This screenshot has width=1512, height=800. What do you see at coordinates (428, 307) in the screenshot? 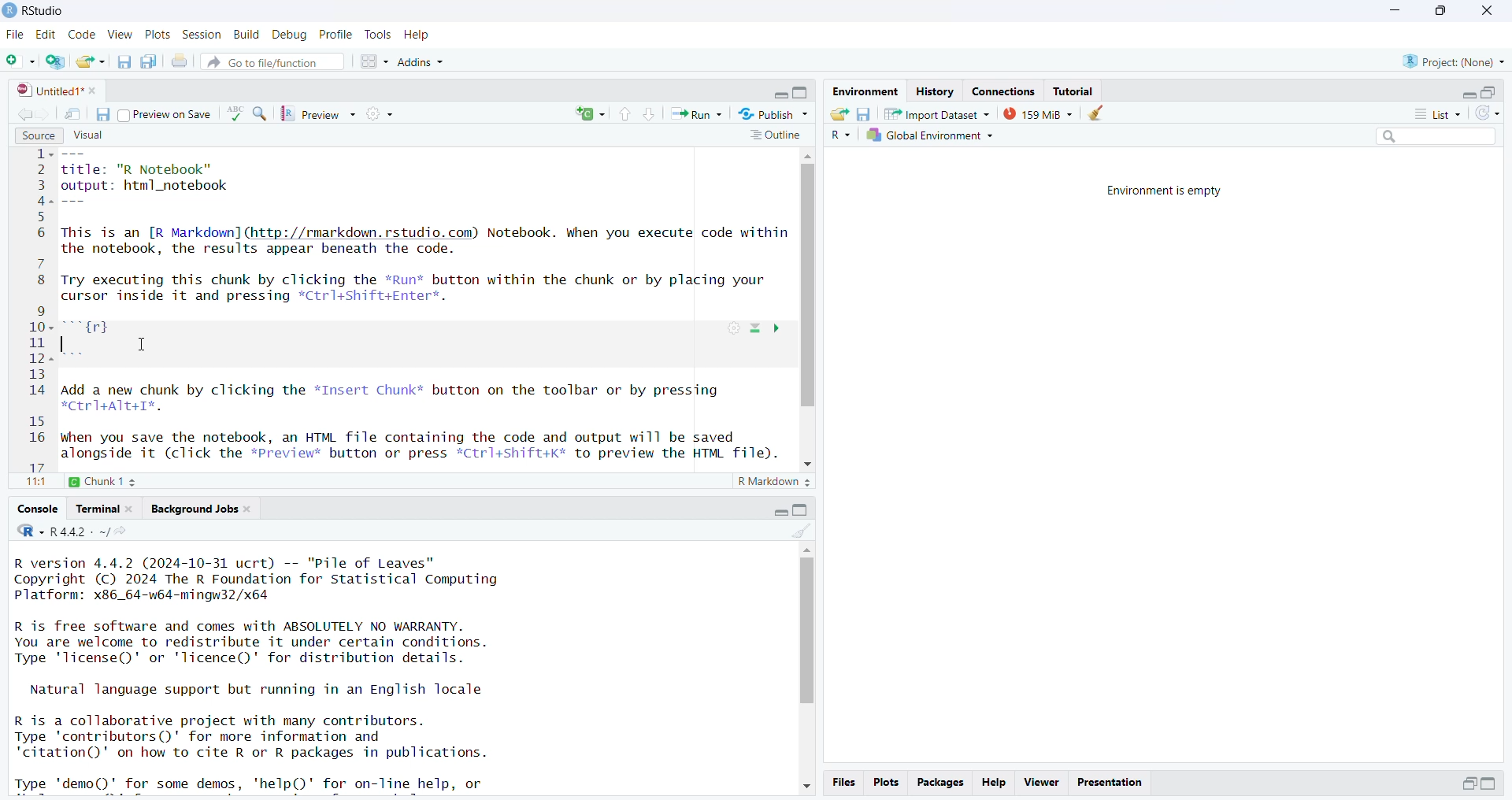
I see `source` at bounding box center [428, 307].